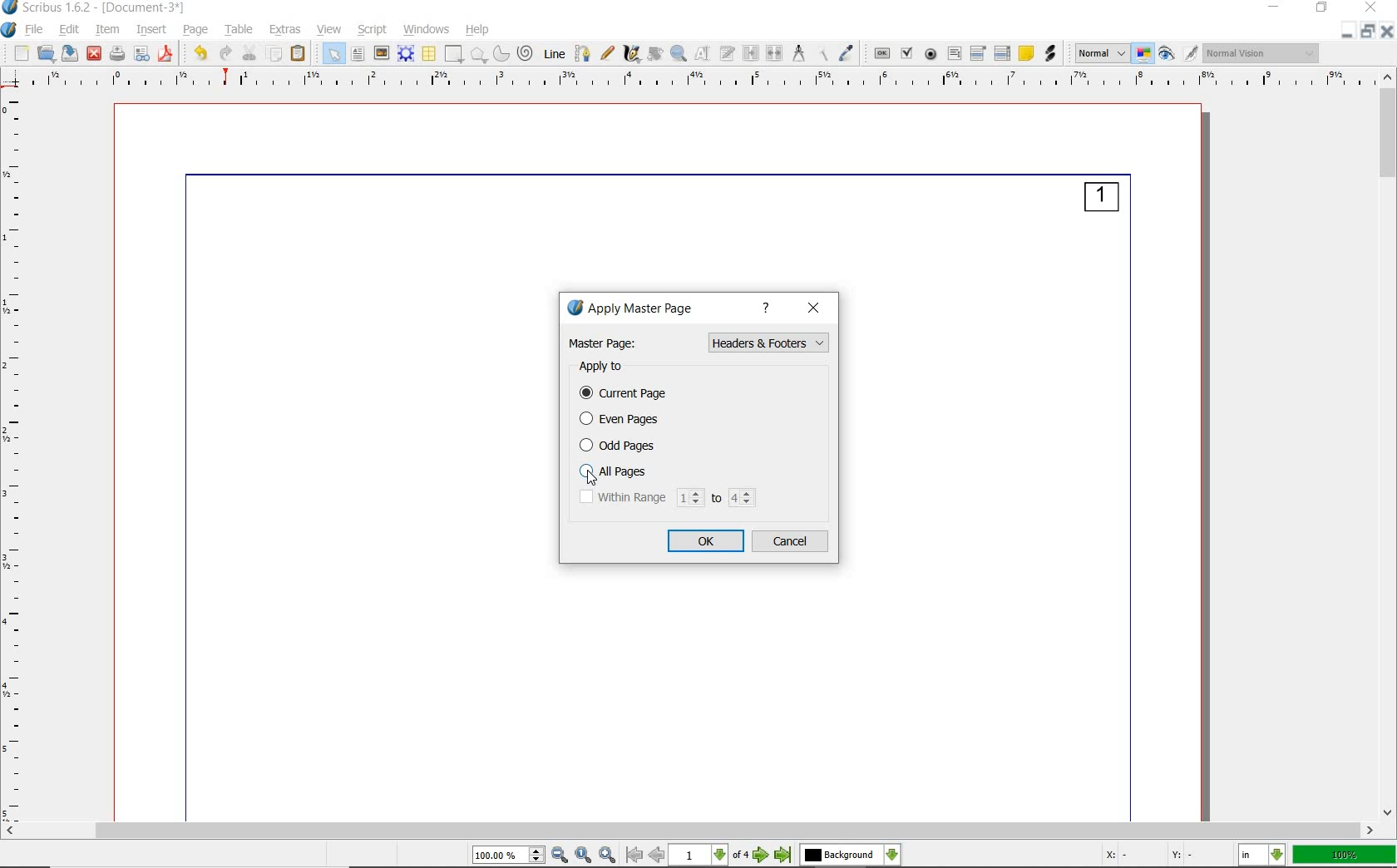 Image resolution: width=1397 pixels, height=868 pixels. I want to click on within range, so click(668, 498).